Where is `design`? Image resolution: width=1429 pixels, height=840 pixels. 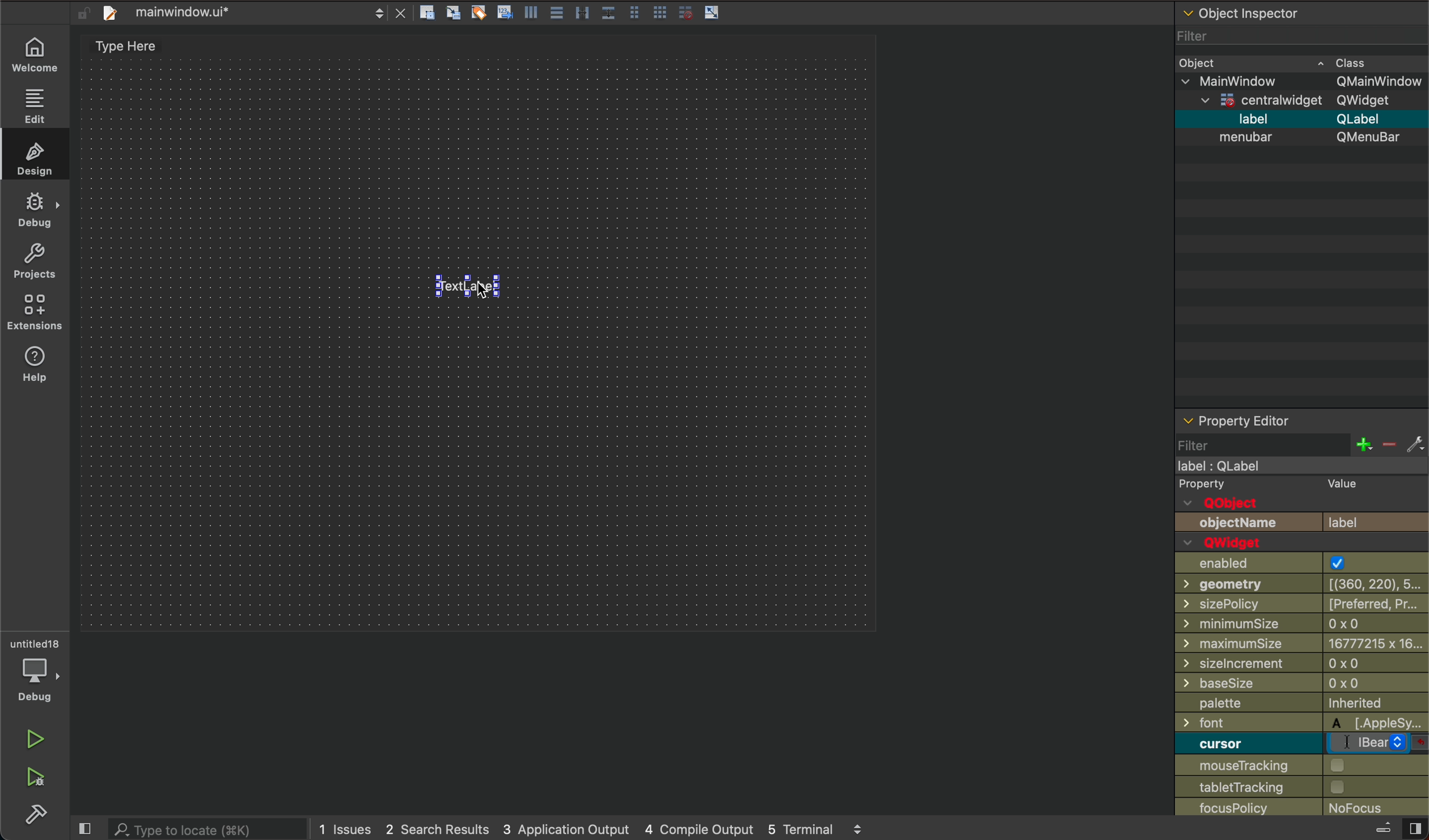 design is located at coordinates (37, 159).